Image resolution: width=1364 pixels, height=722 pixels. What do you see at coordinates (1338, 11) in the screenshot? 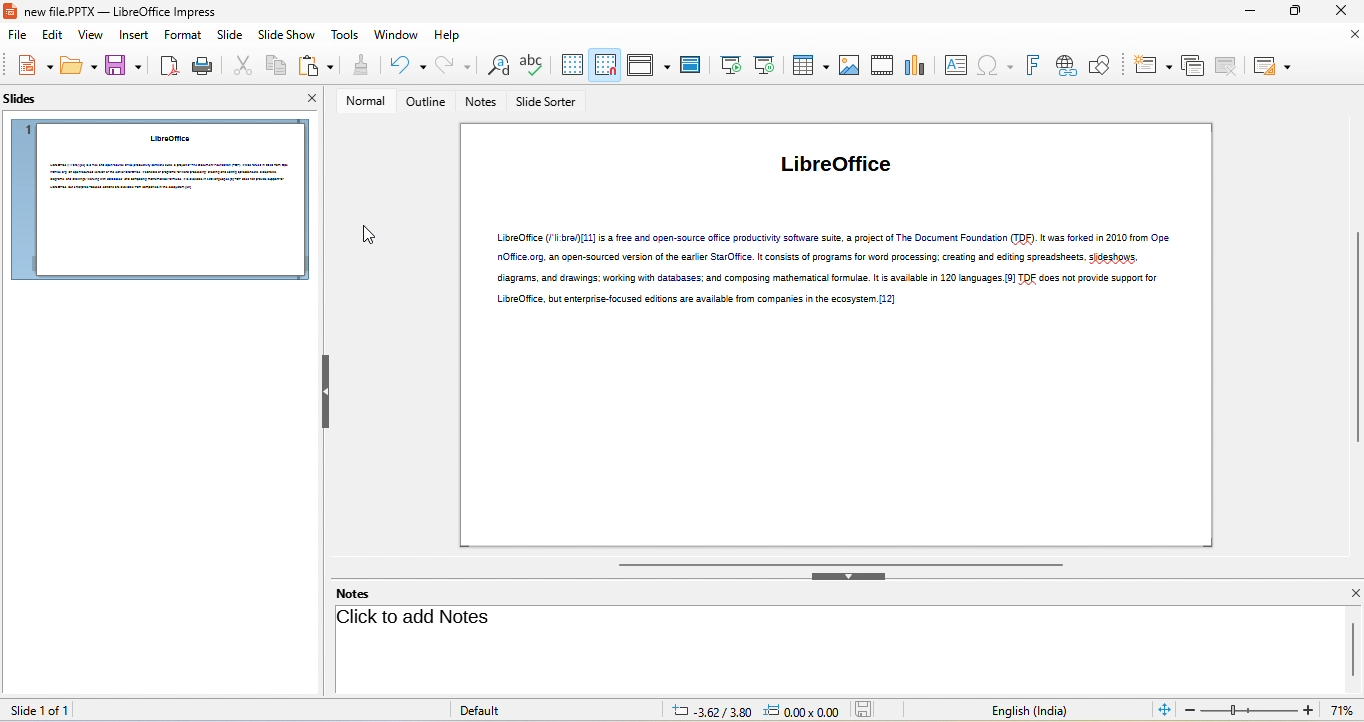
I see `close` at bounding box center [1338, 11].